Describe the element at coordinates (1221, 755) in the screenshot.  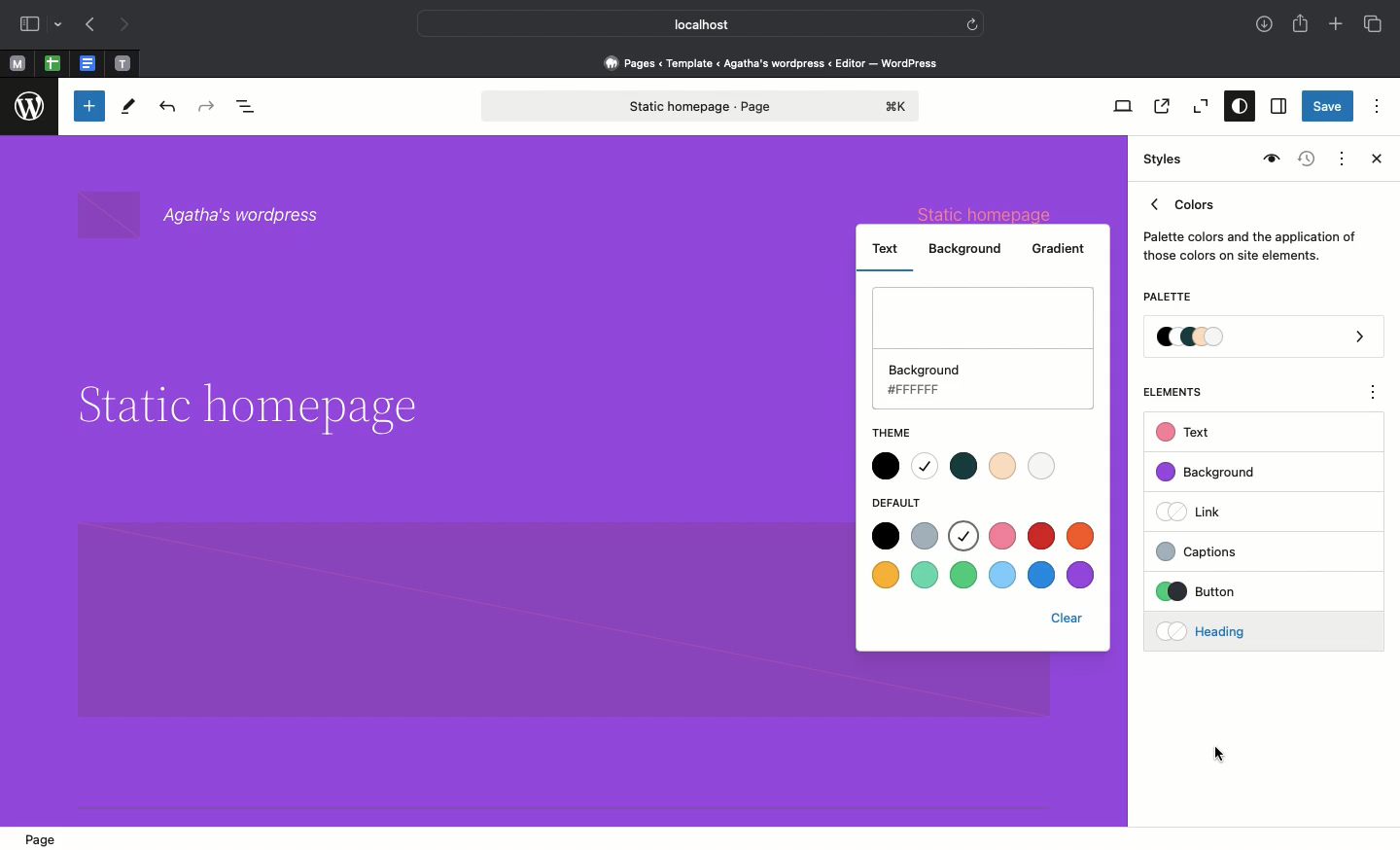
I see `cursor` at that location.